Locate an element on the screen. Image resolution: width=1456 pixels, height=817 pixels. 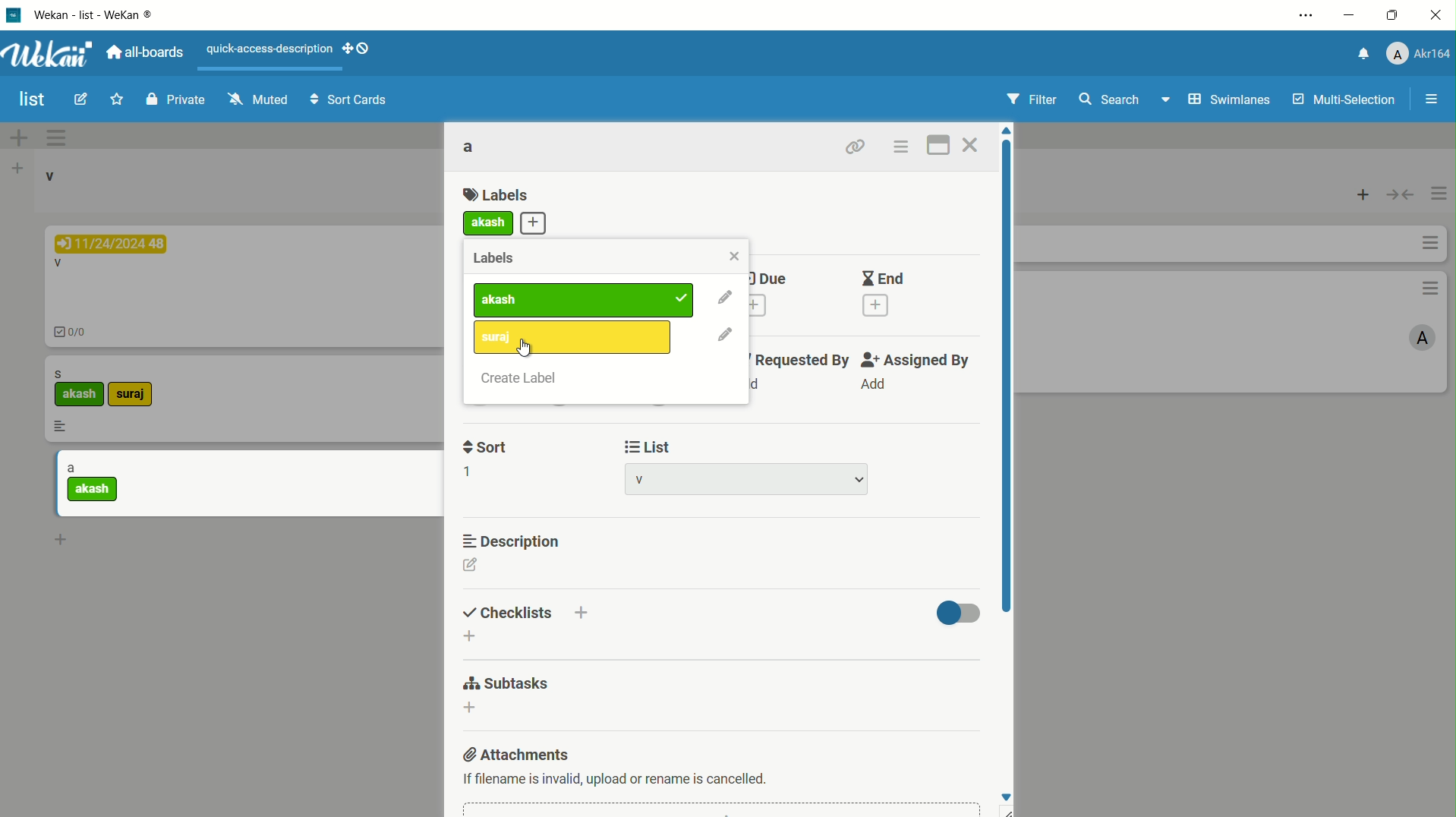
options is located at coordinates (1426, 289).